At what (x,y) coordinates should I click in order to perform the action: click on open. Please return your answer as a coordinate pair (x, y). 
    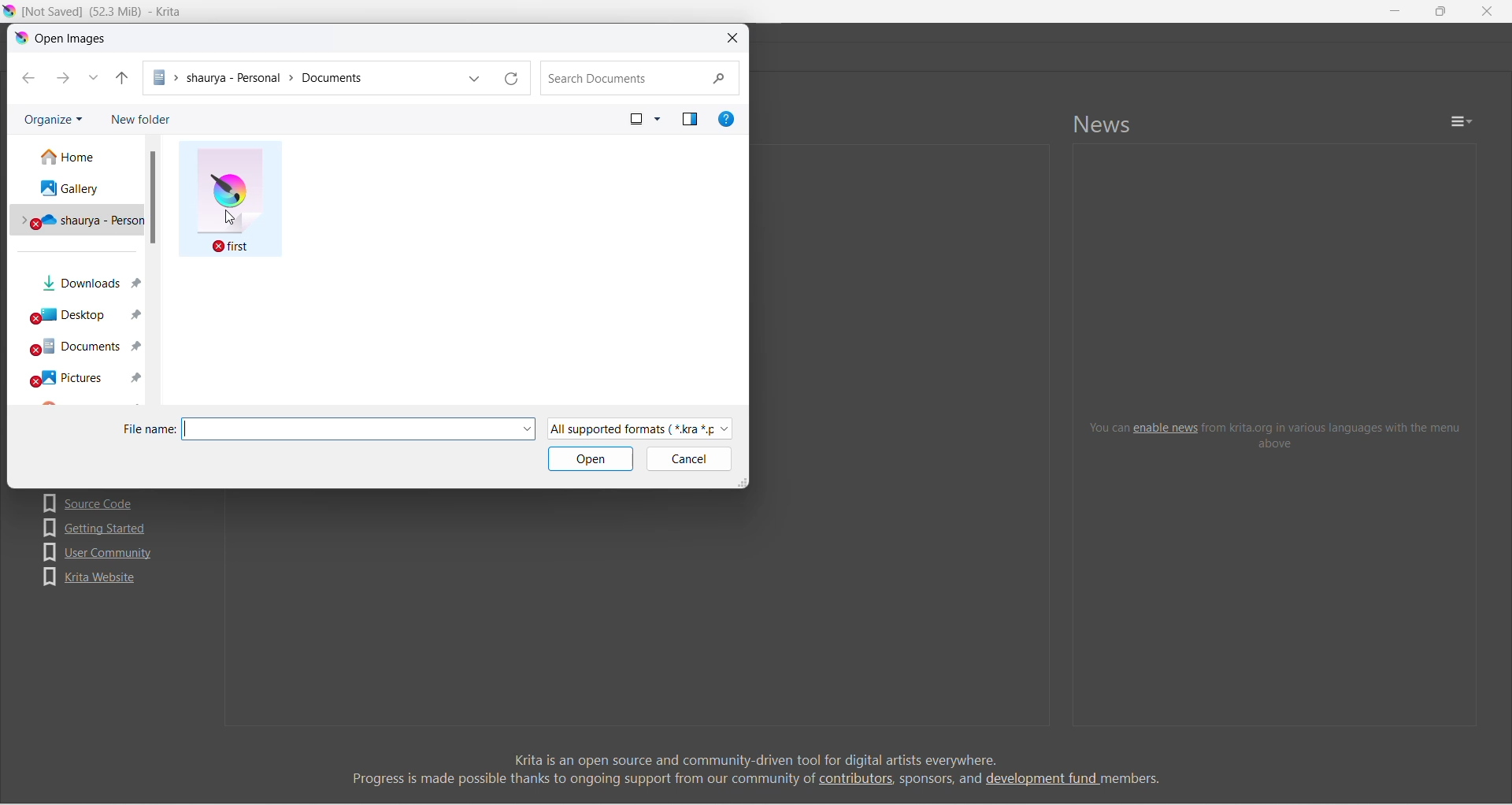
    Looking at the image, I should click on (591, 459).